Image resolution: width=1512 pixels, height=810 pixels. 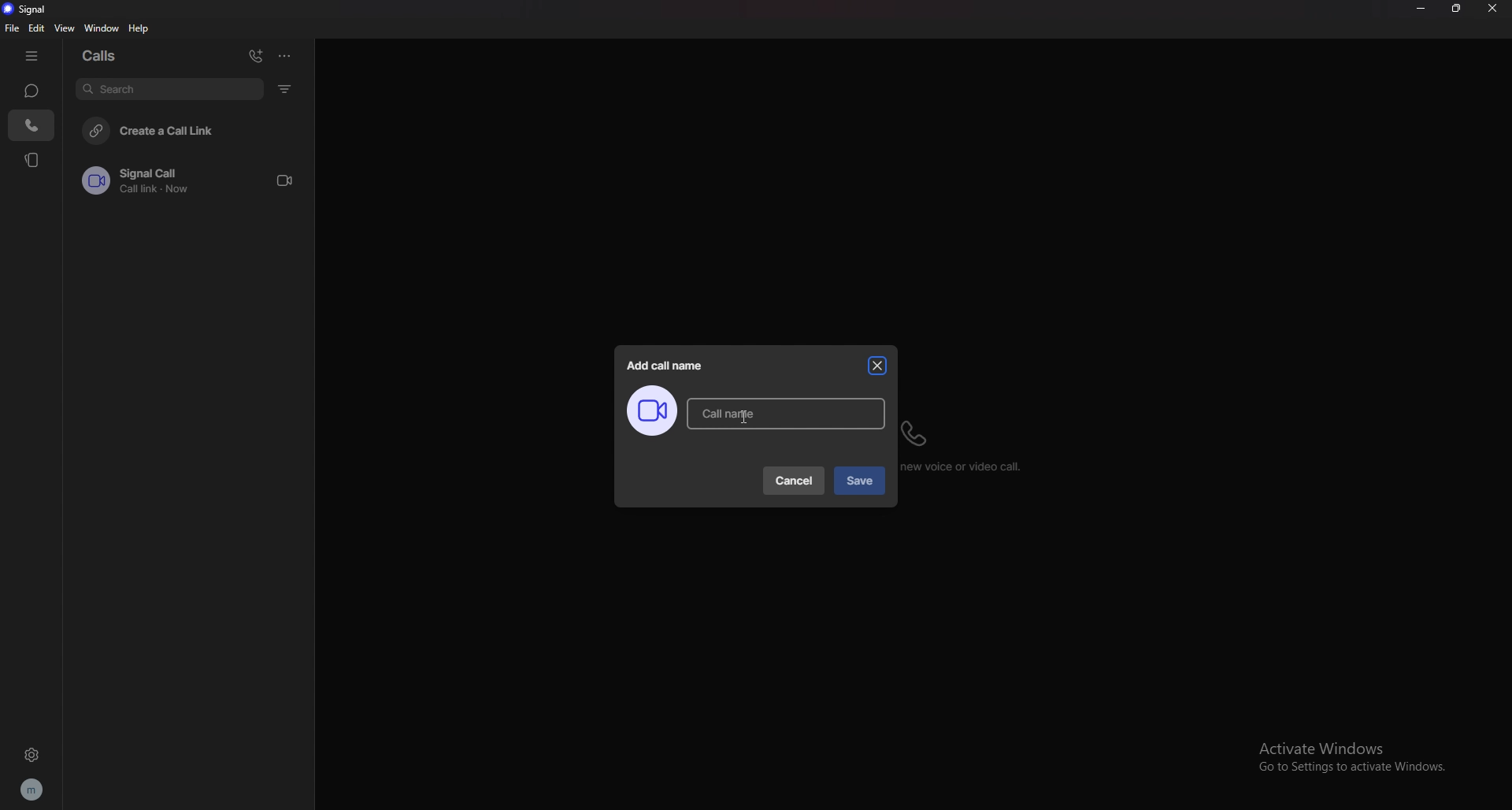 I want to click on cursor, so click(x=743, y=415).